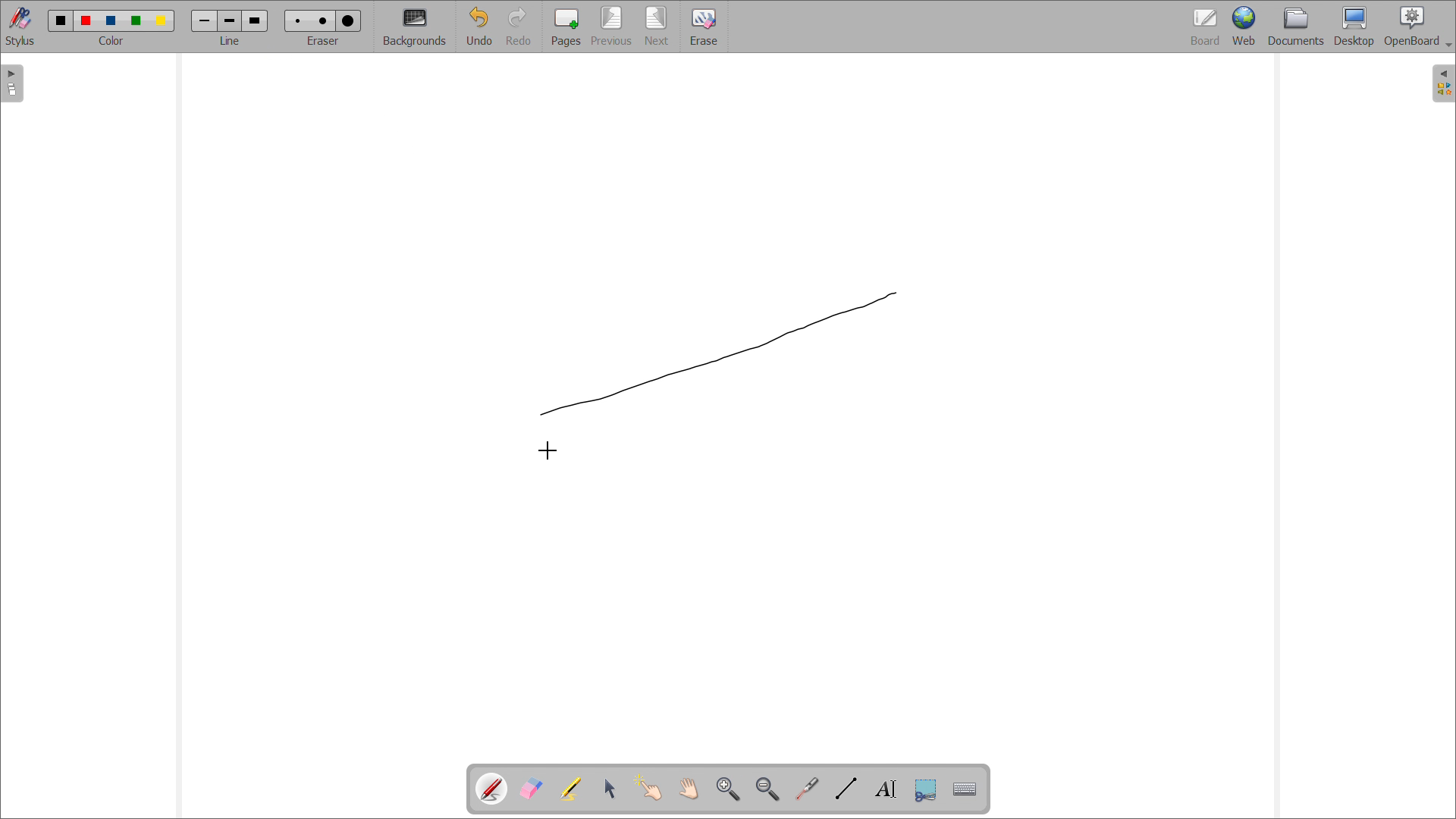 The height and width of the screenshot is (819, 1456). Describe the element at coordinates (230, 42) in the screenshot. I see `select line width` at that location.